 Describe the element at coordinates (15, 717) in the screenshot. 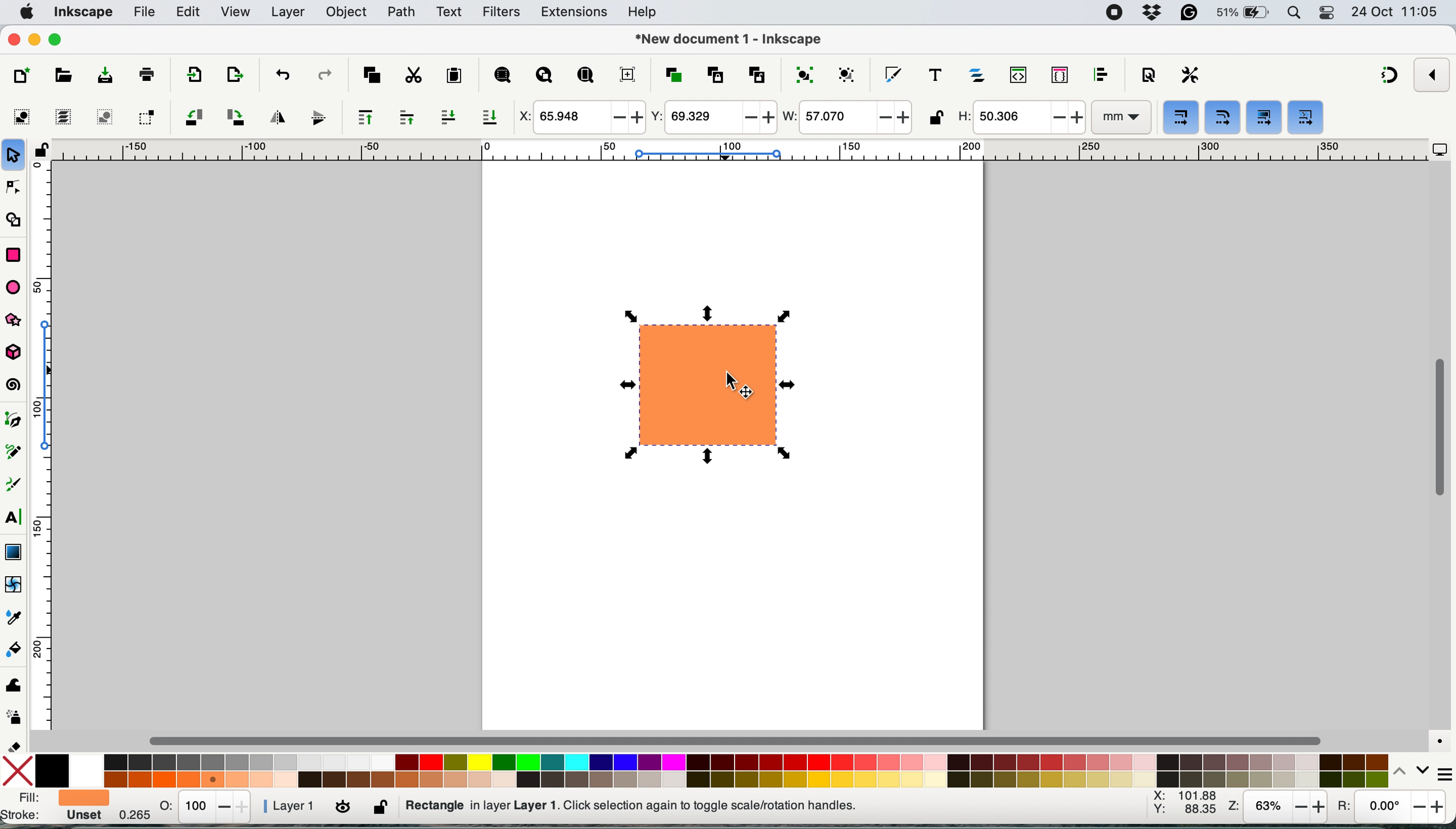

I see `spray tool` at that location.